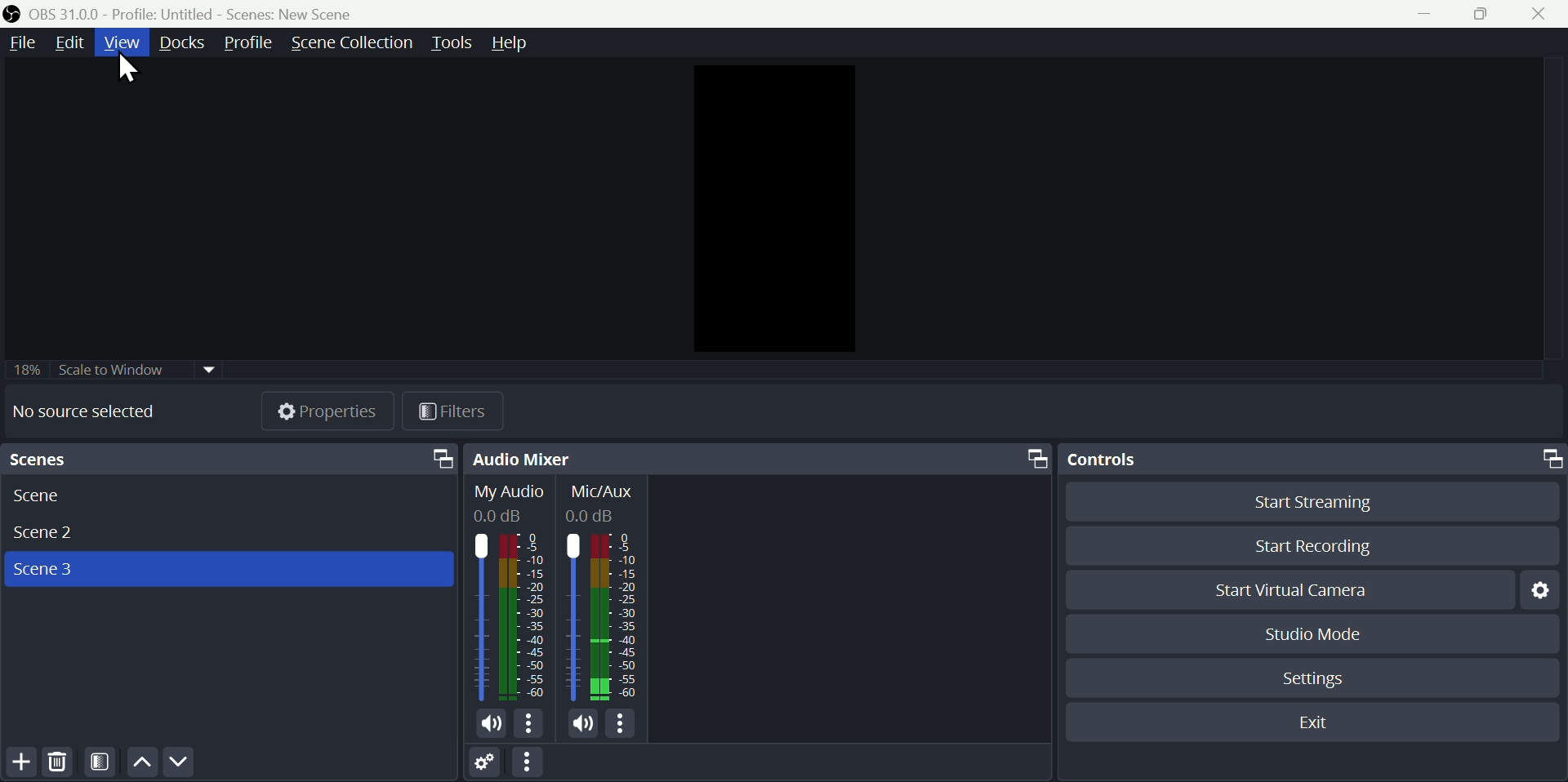 The image size is (1568, 782). I want to click on Edit, so click(71, 42).